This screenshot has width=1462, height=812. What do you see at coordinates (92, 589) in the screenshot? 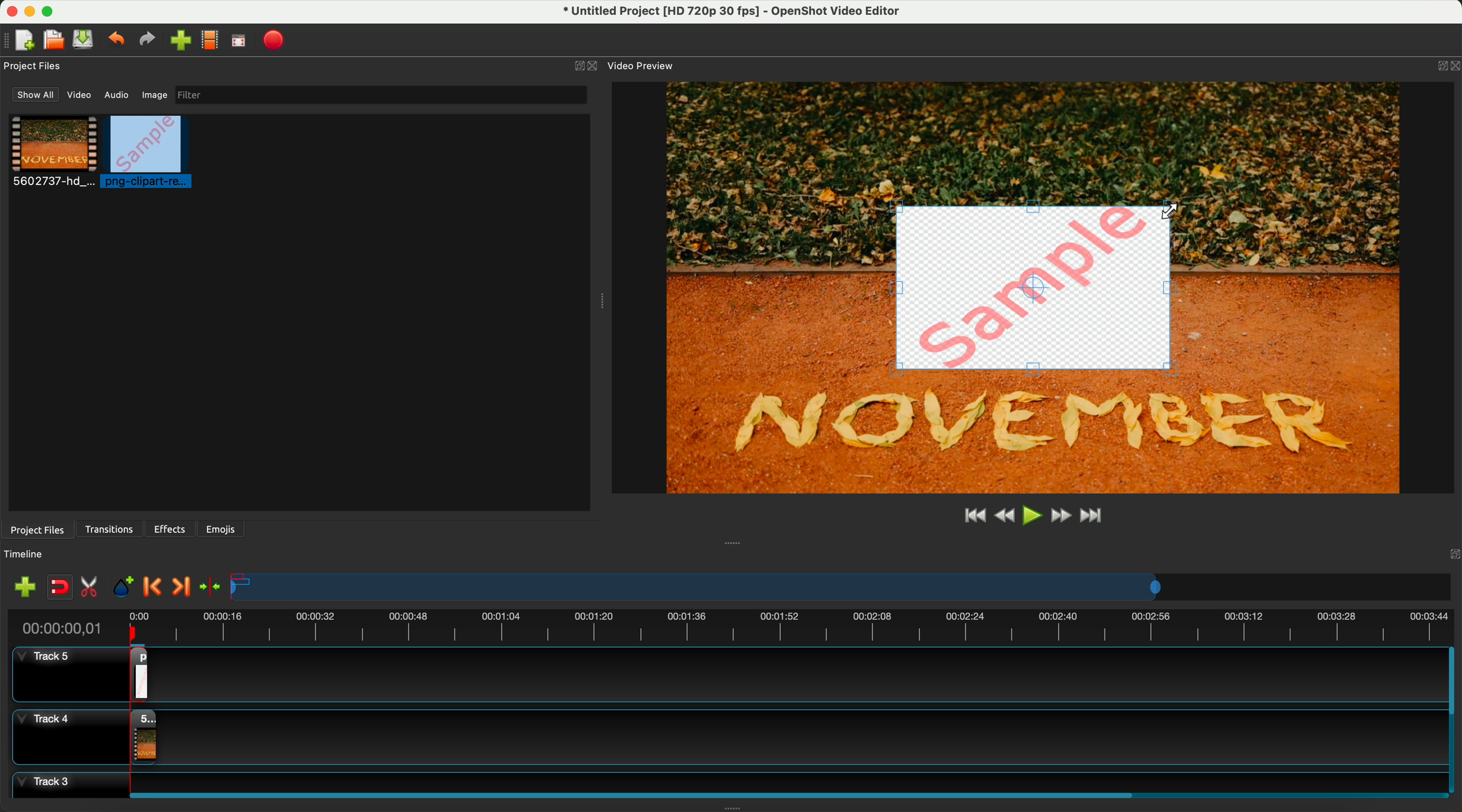
I see `enable razor` at bounding box center [92, 589].